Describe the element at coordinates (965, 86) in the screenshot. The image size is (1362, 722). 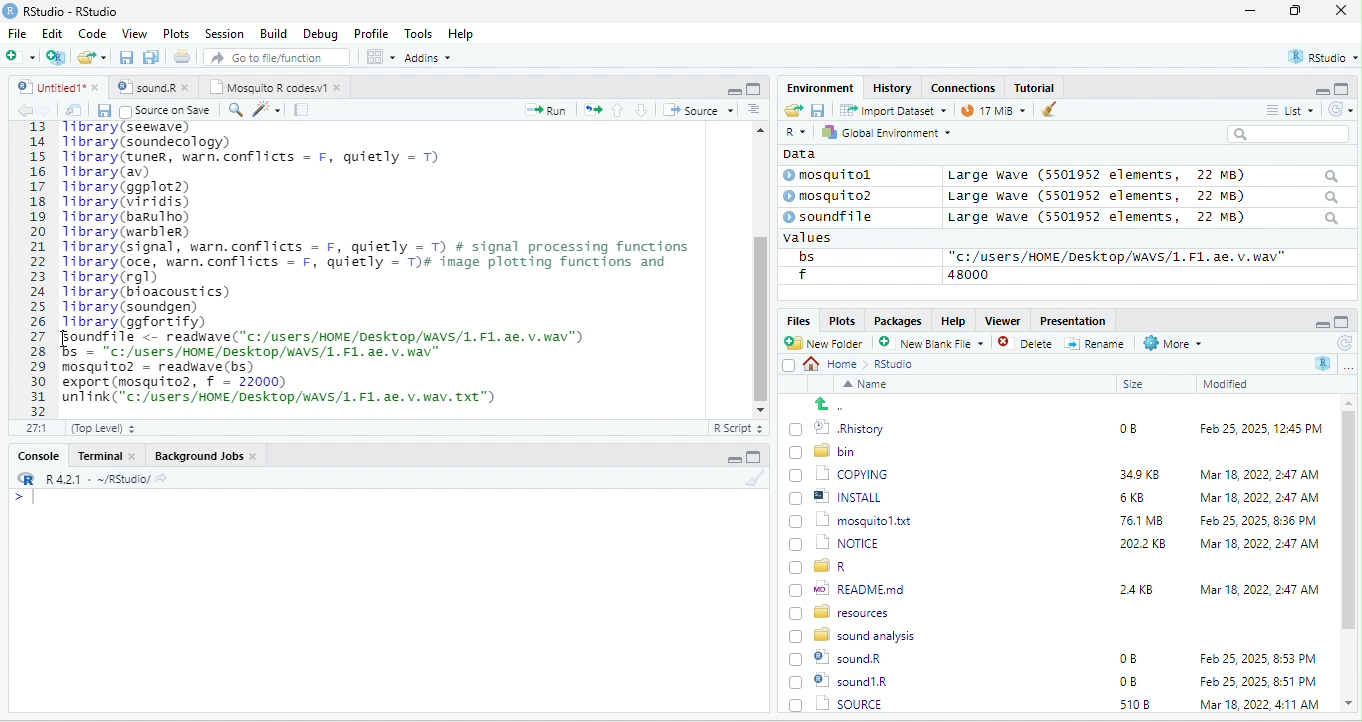
I see `clases` at that location.